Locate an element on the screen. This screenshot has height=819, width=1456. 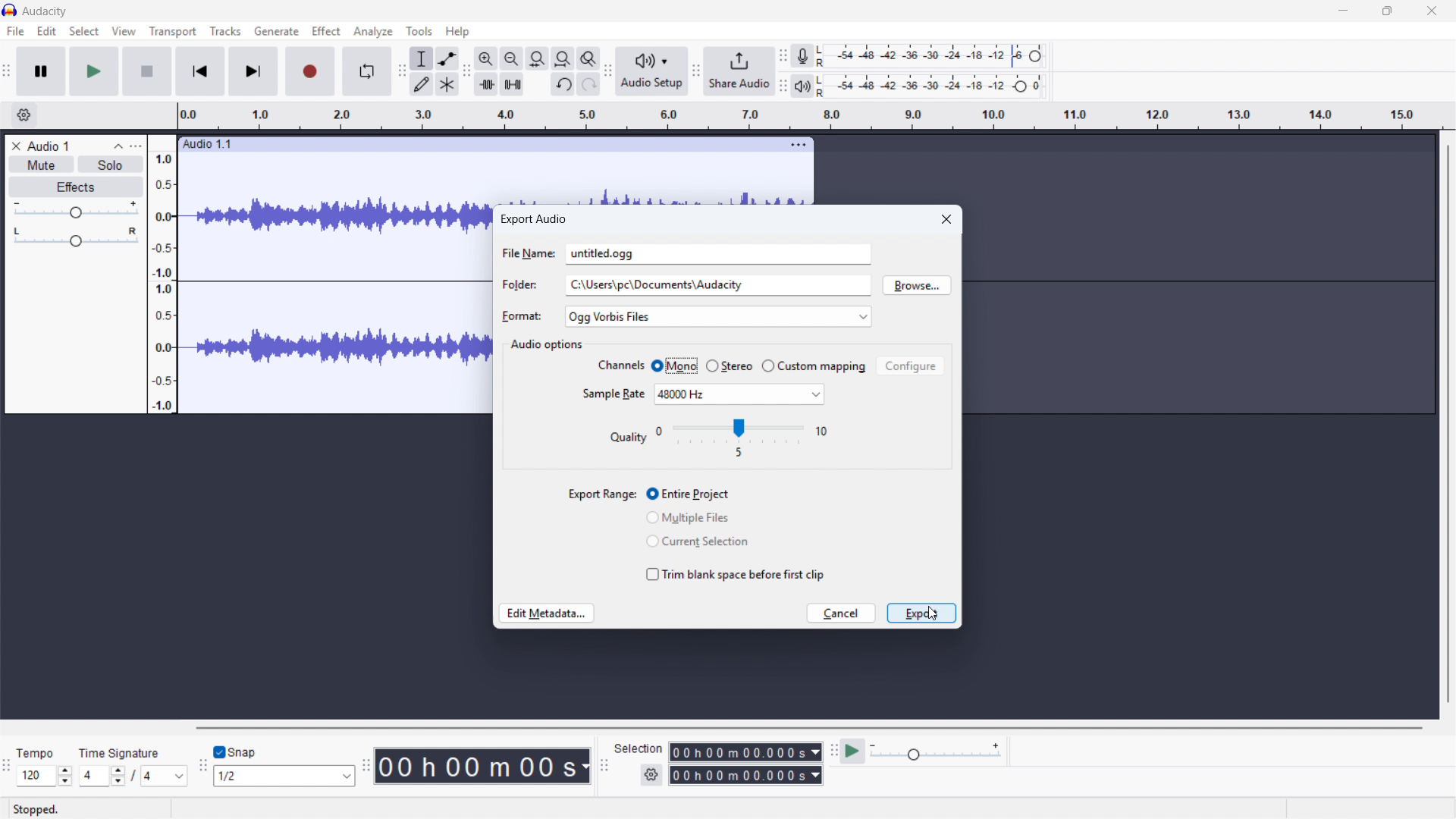
Multiple files  is located at coordinates (689, 520).